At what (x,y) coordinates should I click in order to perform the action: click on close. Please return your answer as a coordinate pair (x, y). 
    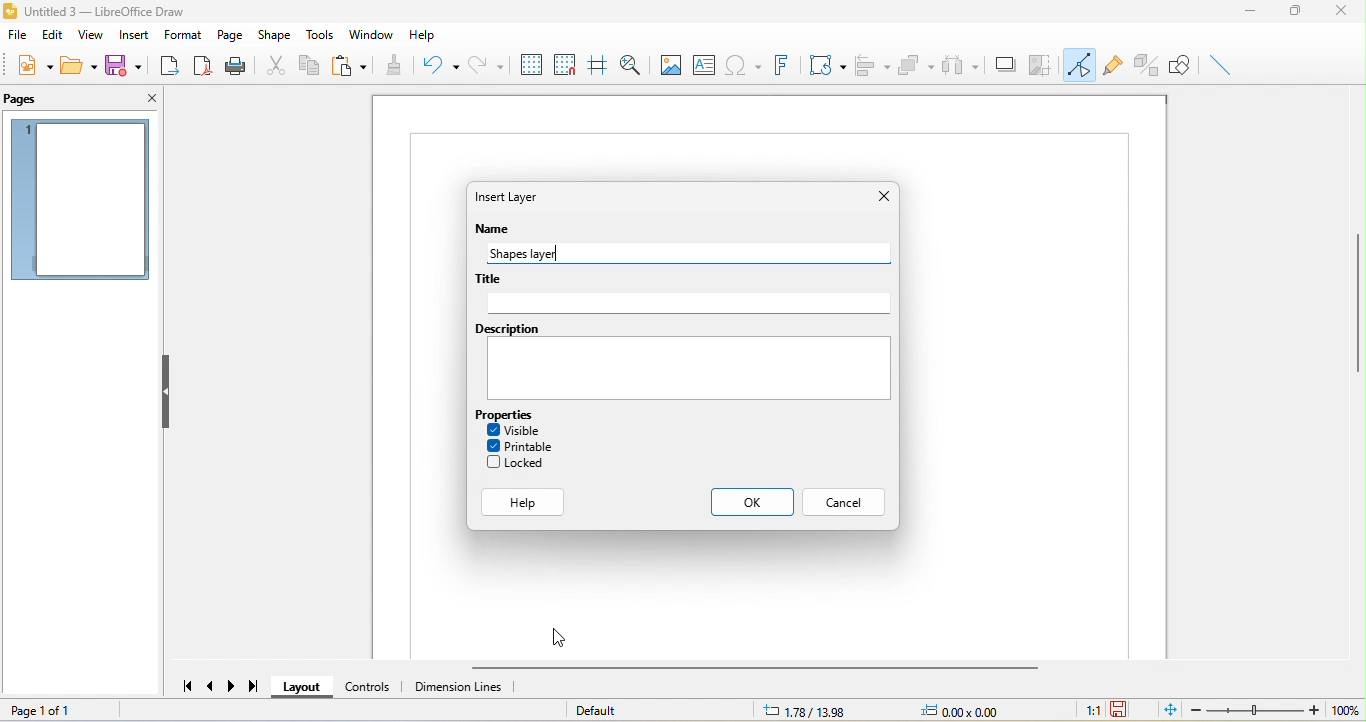
    Looking at the image, I should click on (1340, 12).